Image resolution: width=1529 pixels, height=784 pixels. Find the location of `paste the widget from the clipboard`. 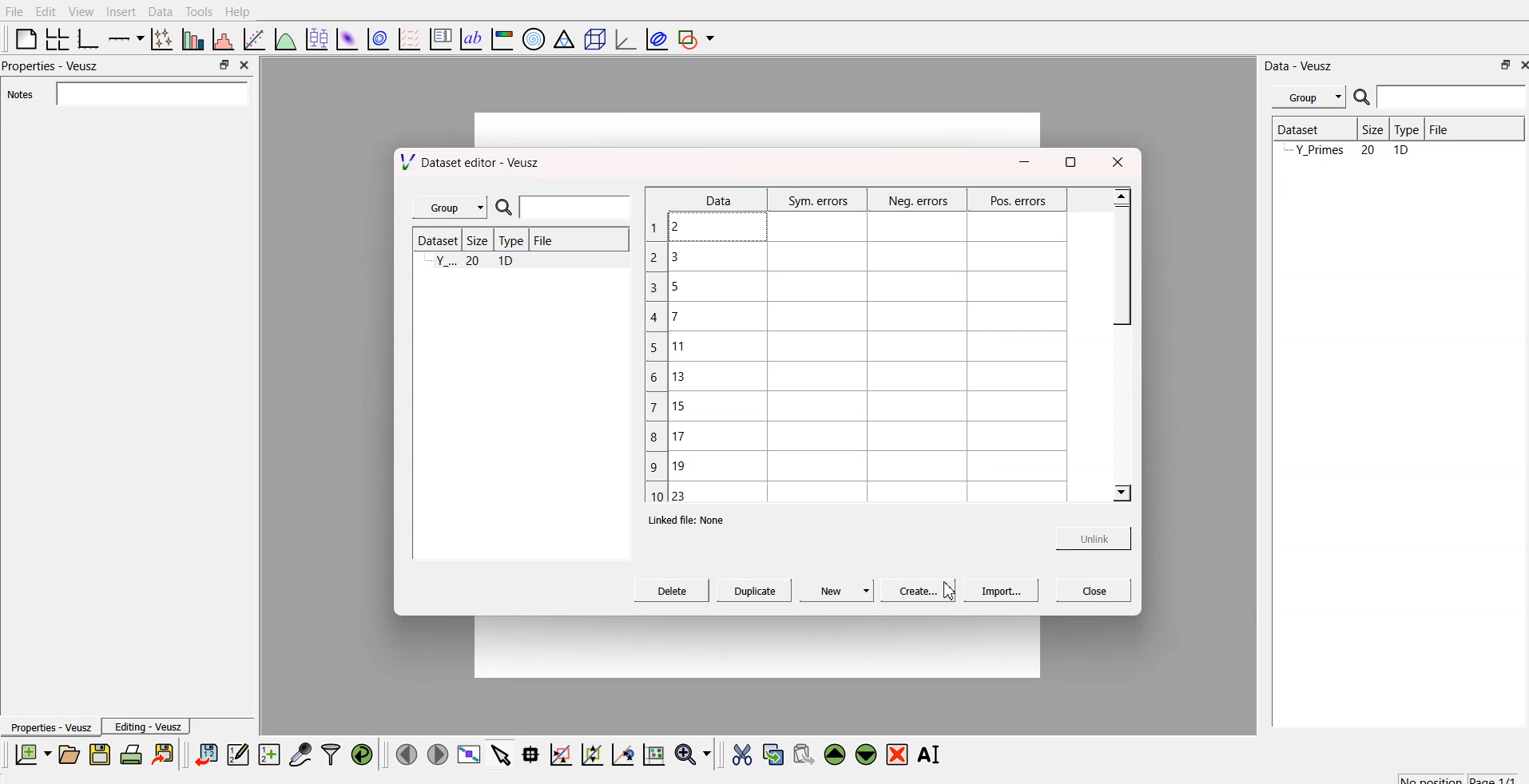

paste the widget from the clipboard is located at coordinates (804, 754).